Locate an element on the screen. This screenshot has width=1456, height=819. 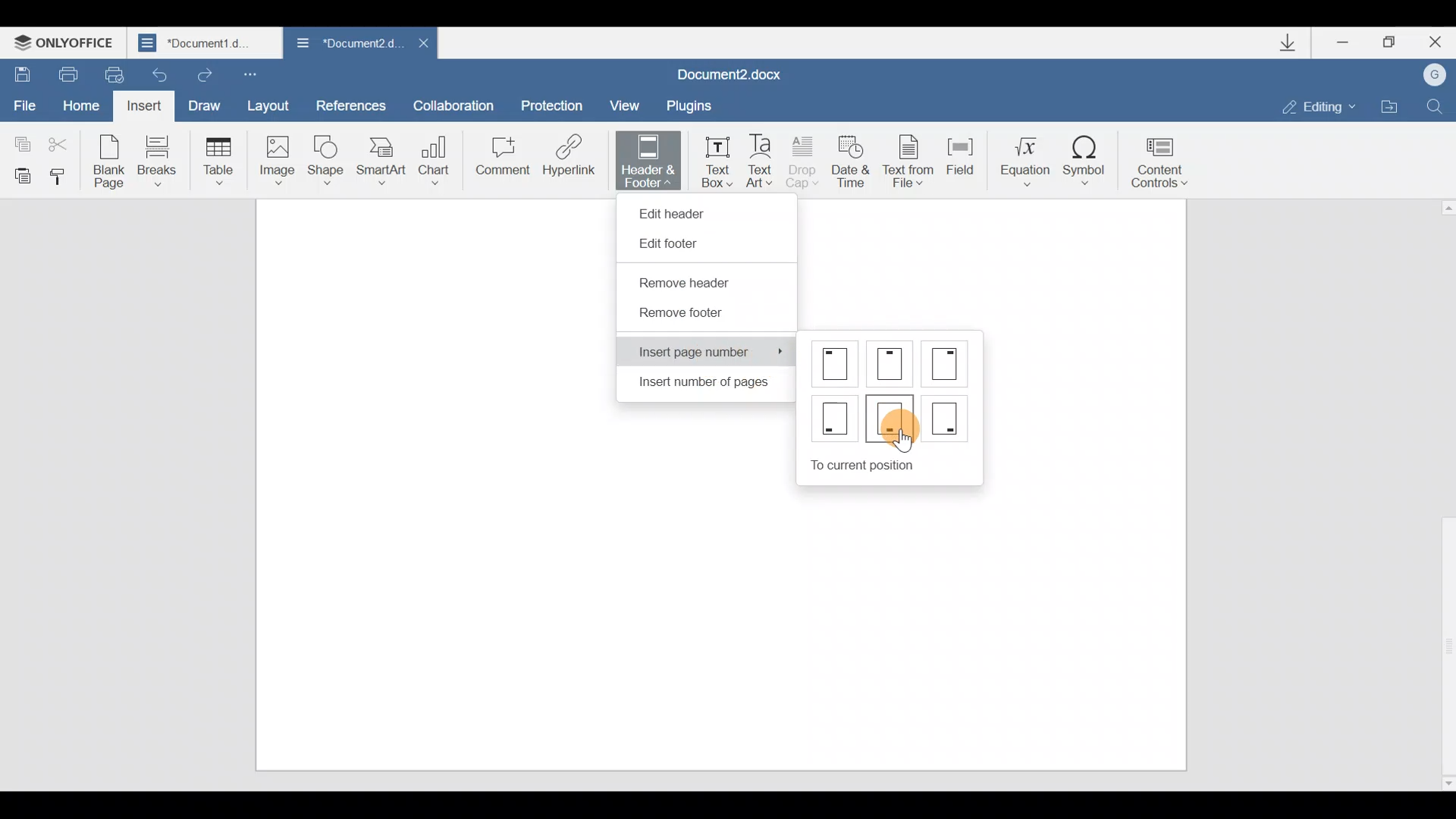
Position 4 is located at coordinates (833, 420).